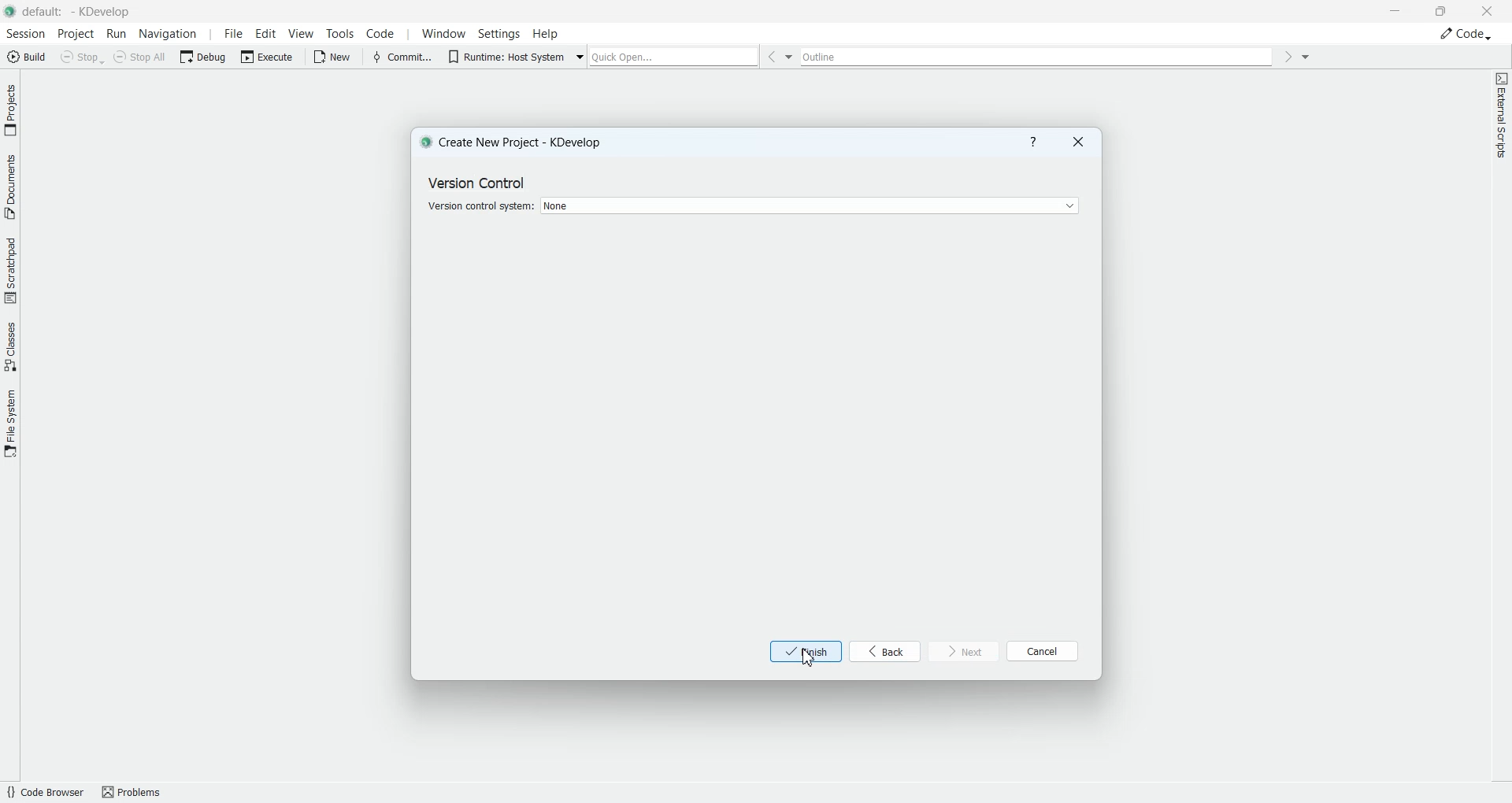  Describe the element at coordinates (885, 651) in the screenshot. I see `back` at that location.